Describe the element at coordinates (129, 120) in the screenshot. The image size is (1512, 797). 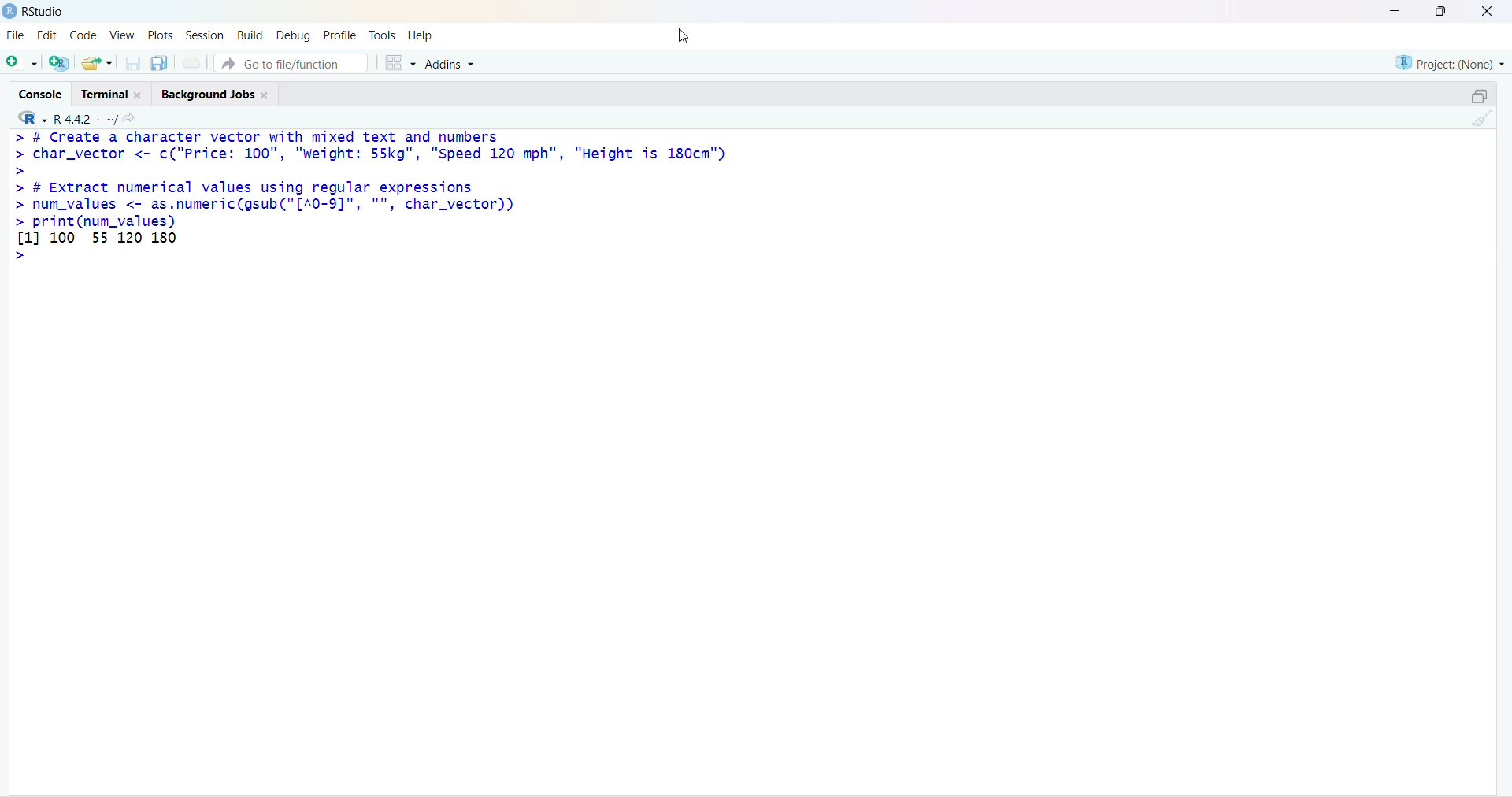
I see `share` at that location.